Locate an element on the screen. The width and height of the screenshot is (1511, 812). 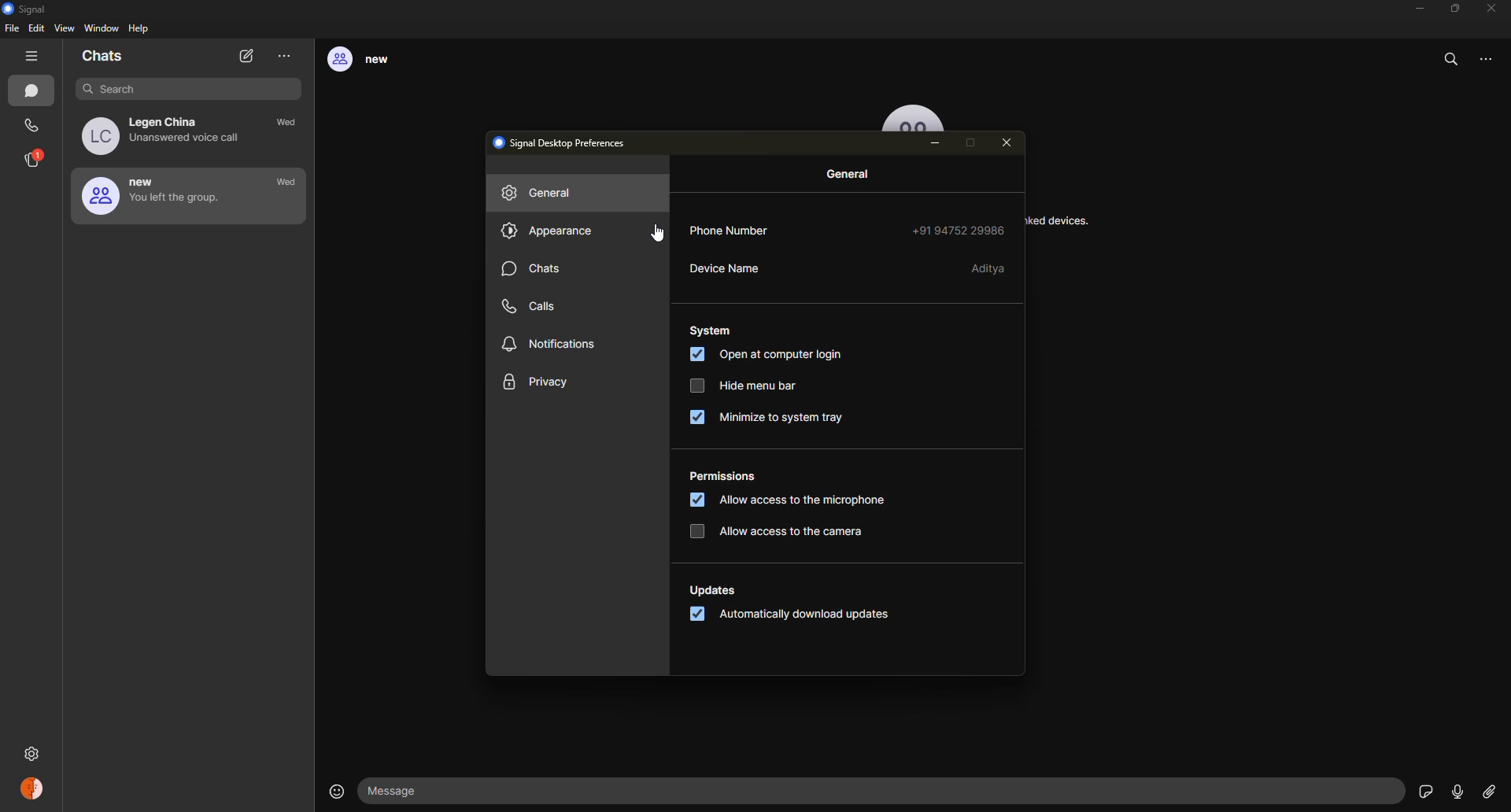
message is located at coordinates (402, 791).